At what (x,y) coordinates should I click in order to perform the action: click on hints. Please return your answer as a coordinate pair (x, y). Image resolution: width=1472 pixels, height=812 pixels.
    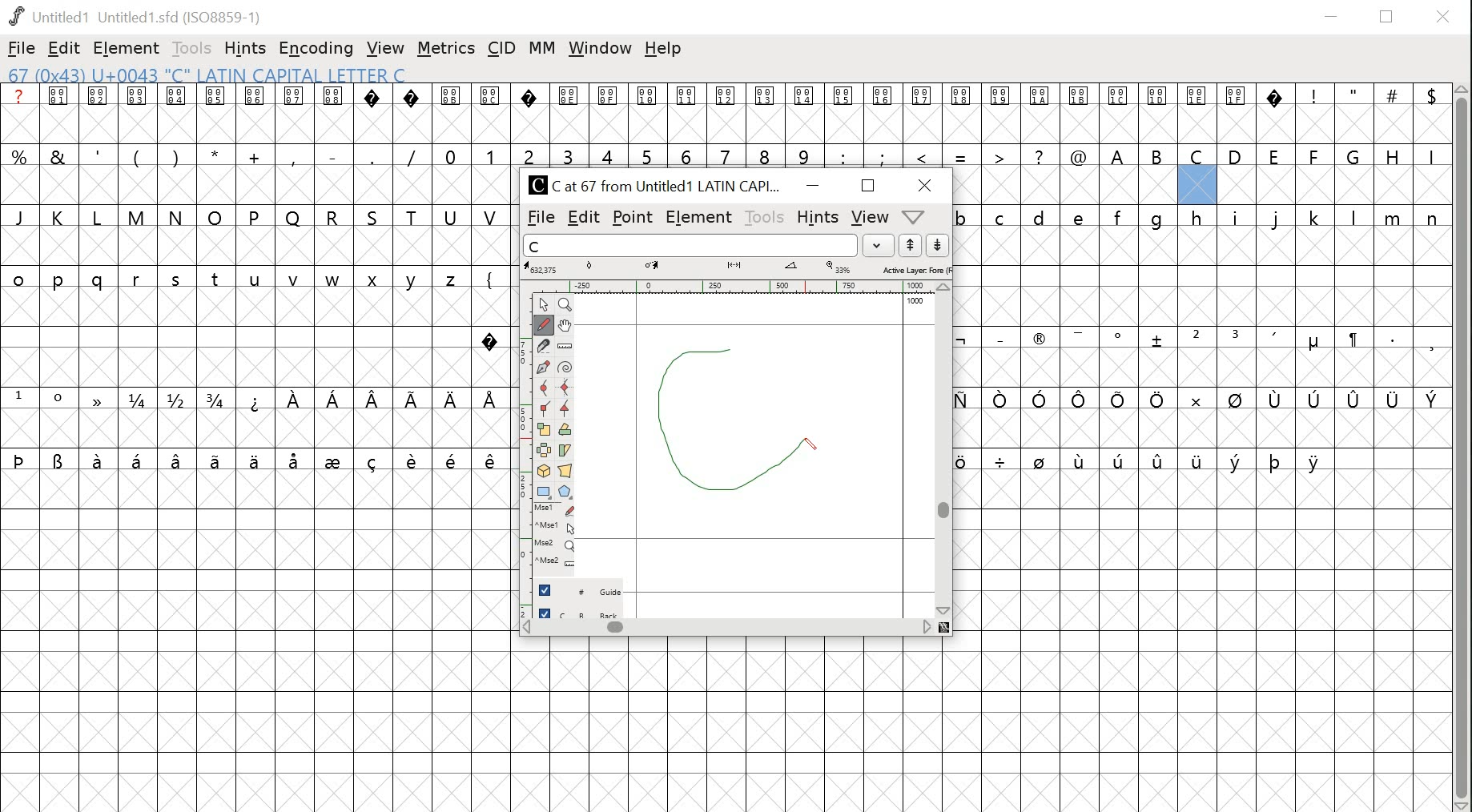
    Looking at the image, I should click on (816, 217).